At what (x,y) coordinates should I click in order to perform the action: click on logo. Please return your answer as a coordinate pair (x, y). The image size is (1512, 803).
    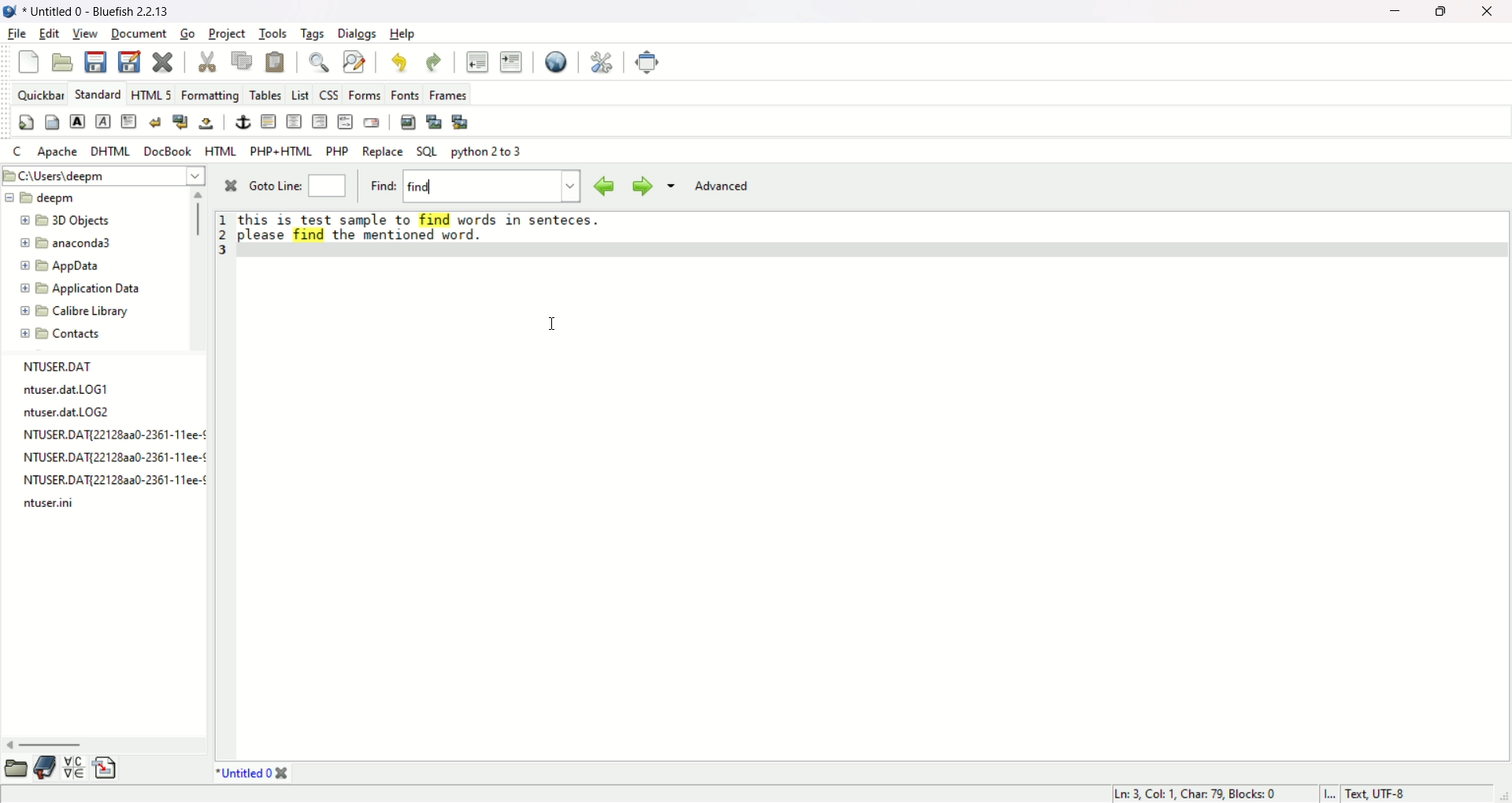
    Looking at the image, I should click on (14, 12).